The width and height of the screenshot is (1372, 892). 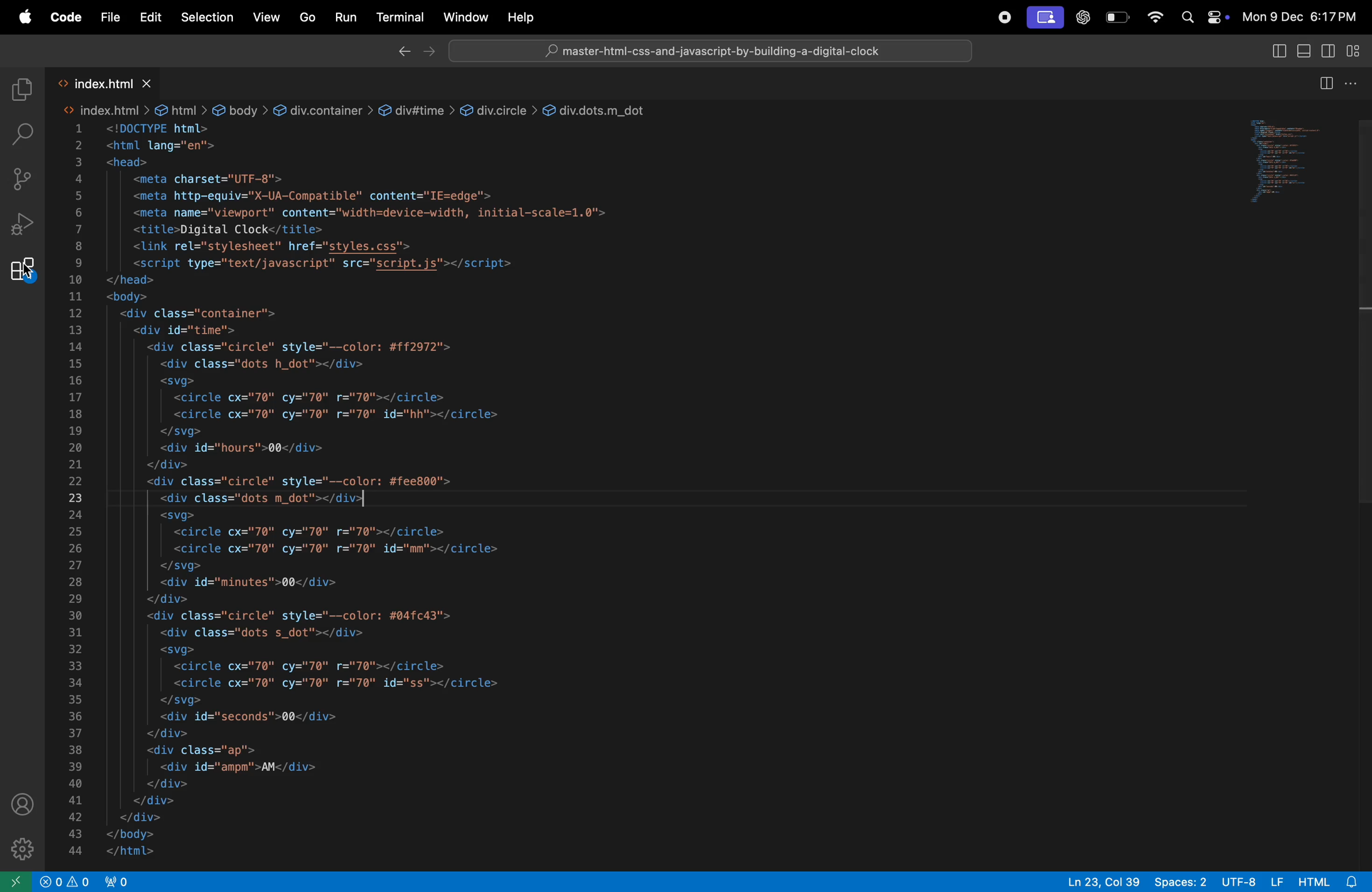 What do you see at coordinates (402, 50) in the screenshot?
I see `go back` at bounding box center [402, 50].